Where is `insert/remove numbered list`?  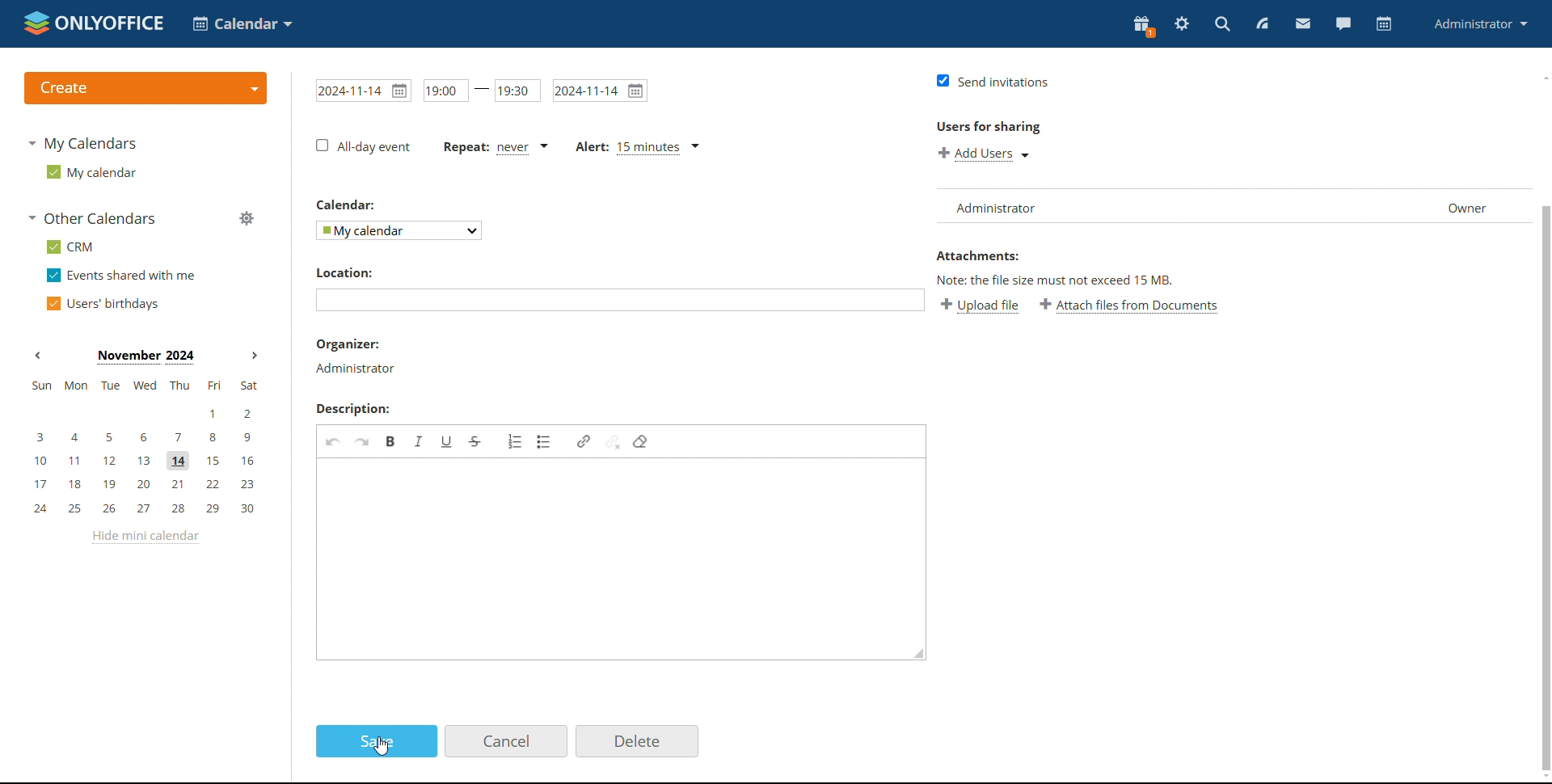
insert/remove numbered list is located at coordinates (514, 444).